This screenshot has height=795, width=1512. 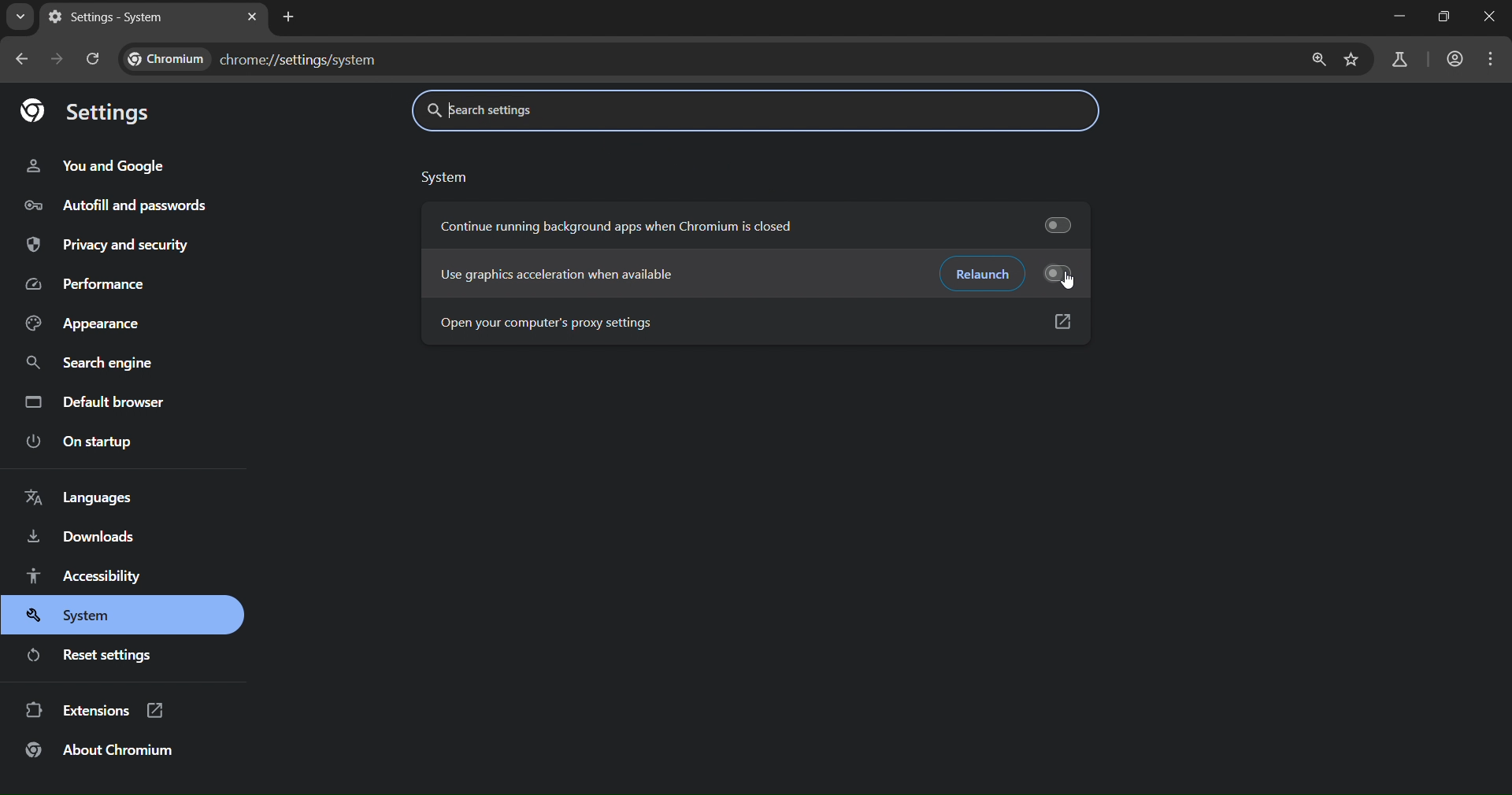 I want to click on reload page, so click(x=94, y=56).